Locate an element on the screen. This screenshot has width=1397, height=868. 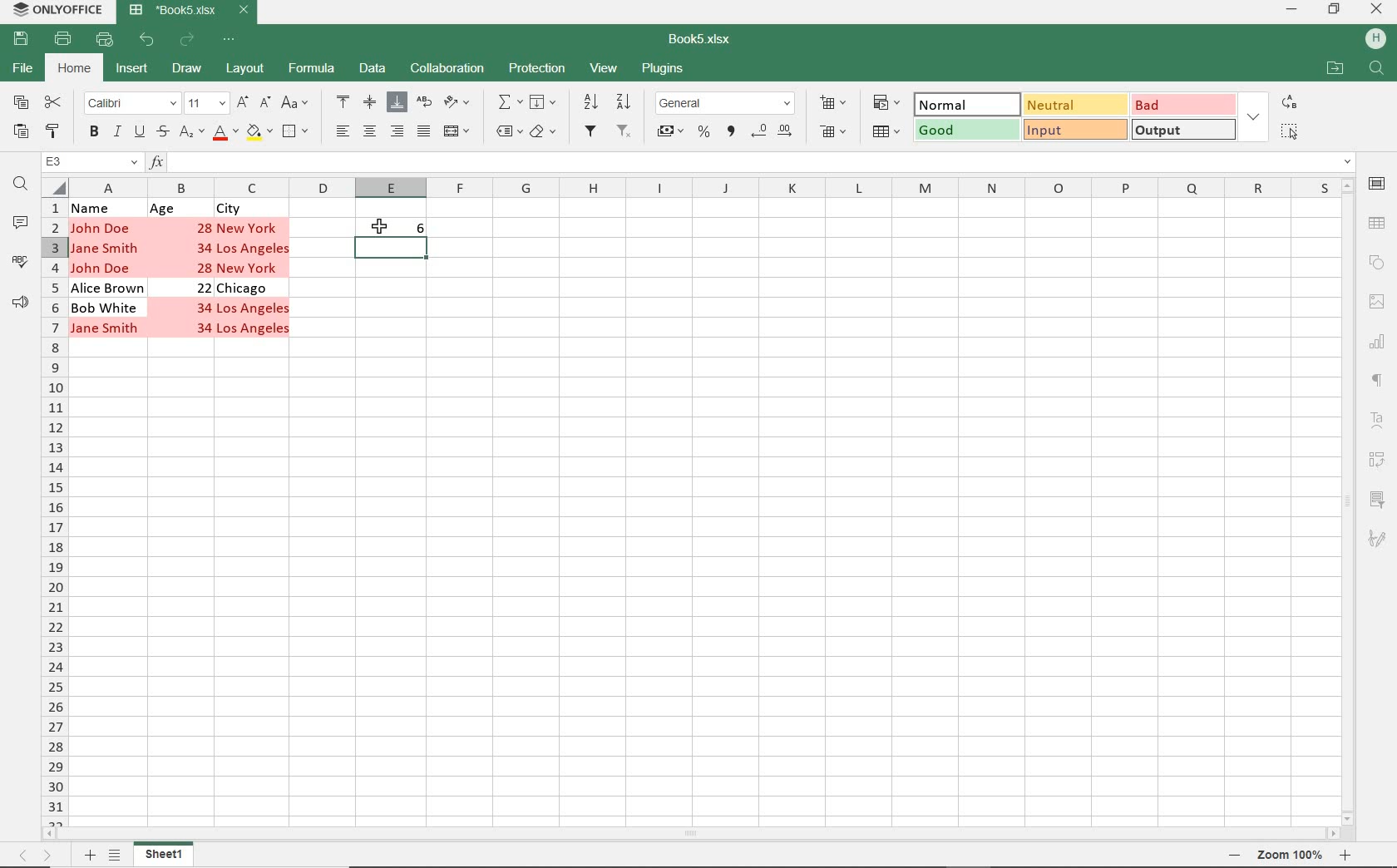
UNDO is located at coordinates (148, 39).